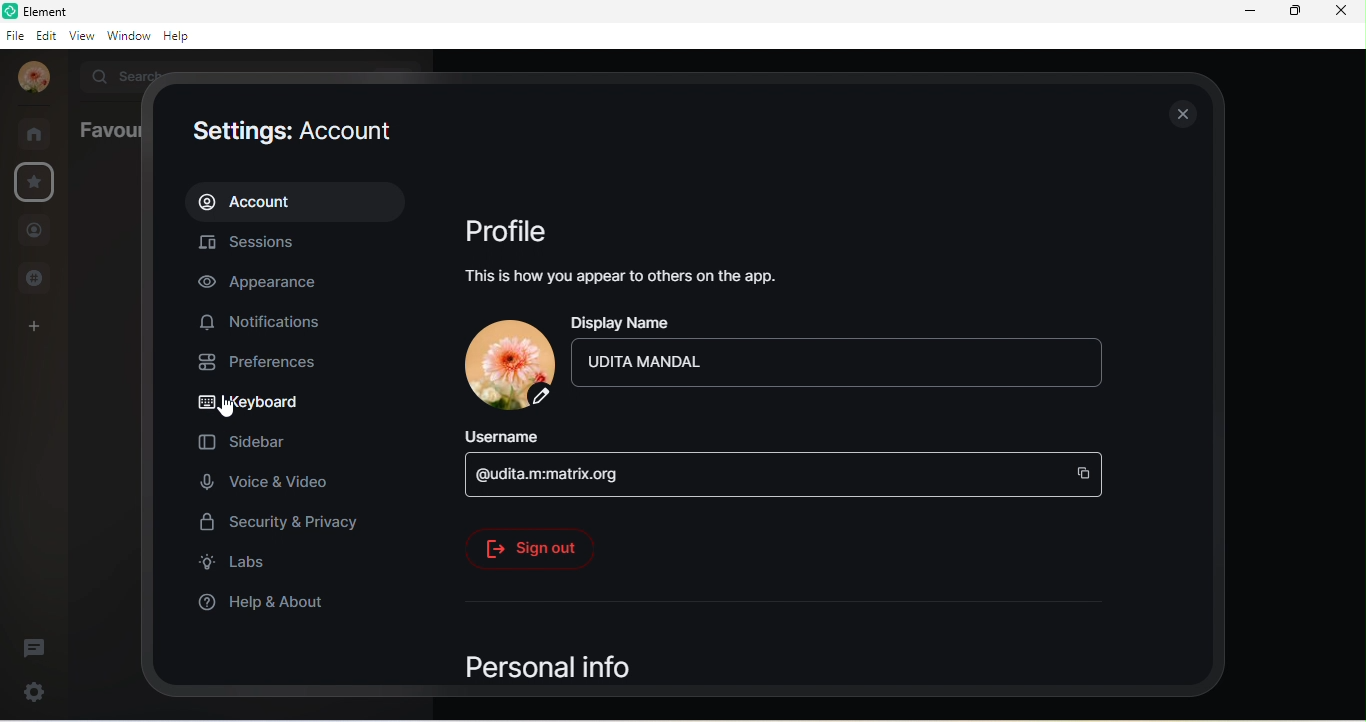 This screenshot has height=722, width=1366. Describe the element at coordinates (36, 280) in the screenshot. I see `public room` at that location.